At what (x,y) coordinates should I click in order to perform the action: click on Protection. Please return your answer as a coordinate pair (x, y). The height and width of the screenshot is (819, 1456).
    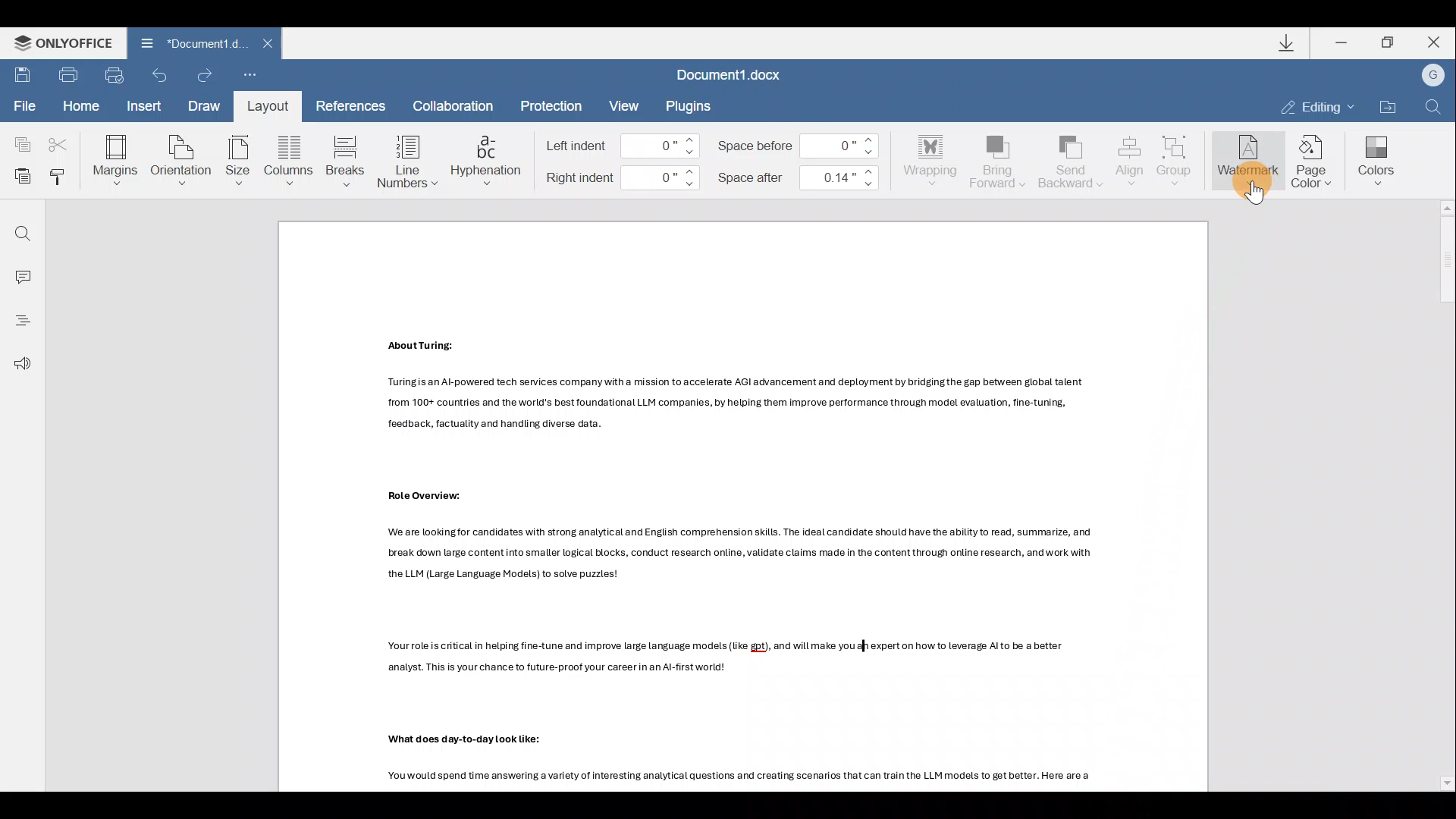
    Looking at the image, I should click on (554, 104).